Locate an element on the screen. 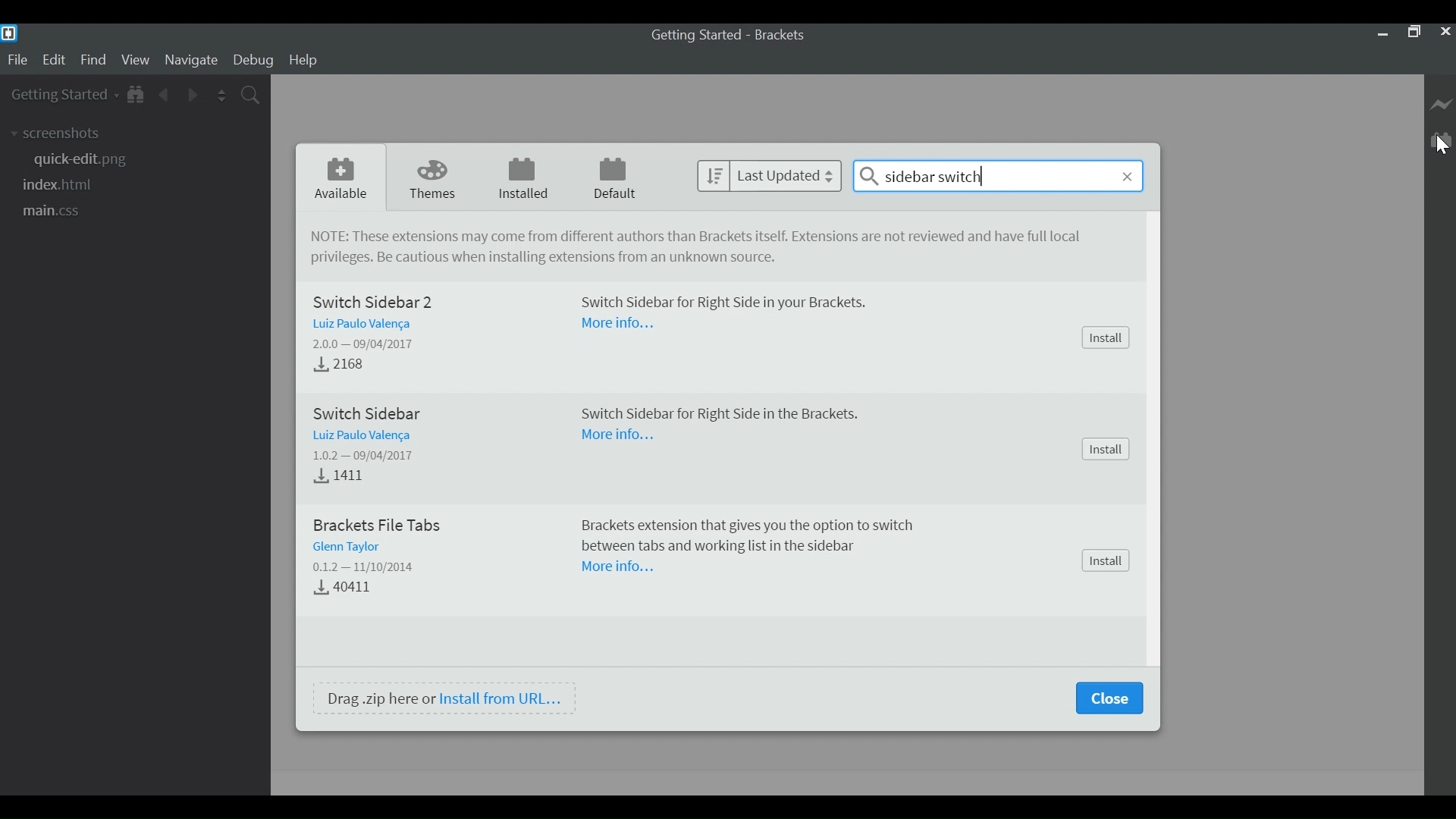  Switch Sidebar 2 is located at coordinates (372, 302).